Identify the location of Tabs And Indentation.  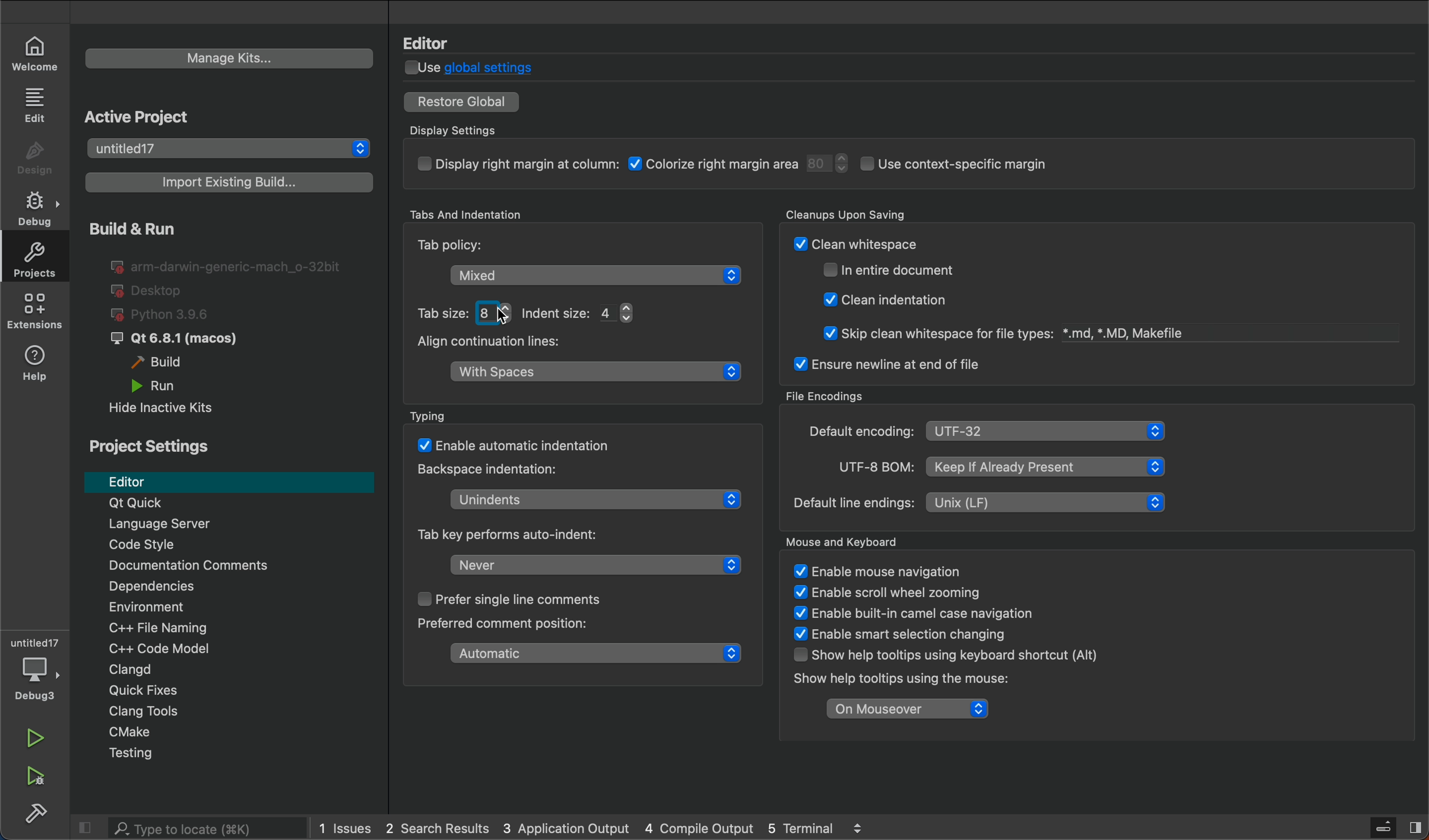
(469, 215).